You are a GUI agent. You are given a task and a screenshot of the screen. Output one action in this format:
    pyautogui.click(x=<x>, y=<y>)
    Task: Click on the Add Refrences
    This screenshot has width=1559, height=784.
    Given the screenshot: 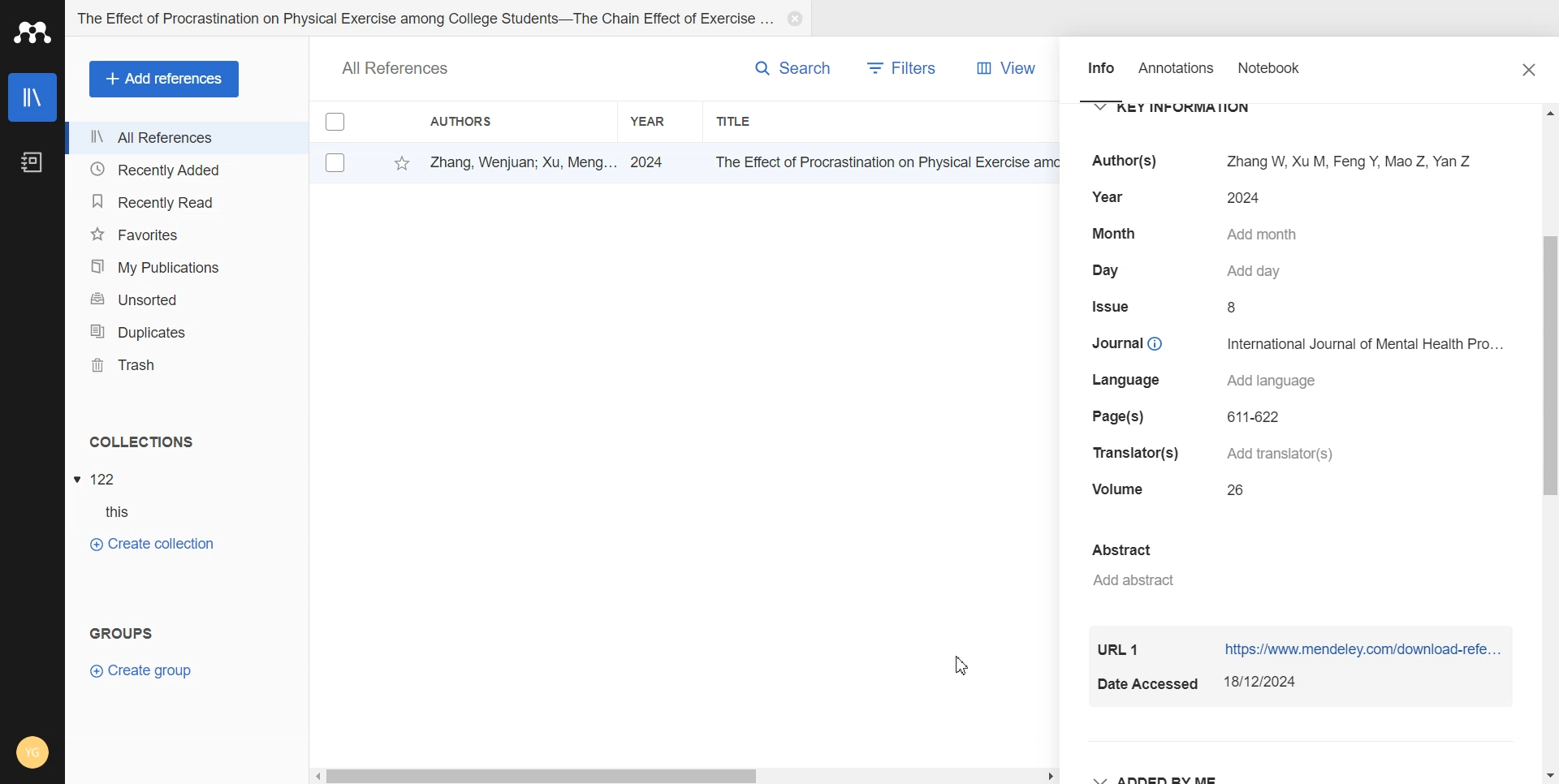 What is the action you would take?
    pyautogui.click(x=164, y=79)
    